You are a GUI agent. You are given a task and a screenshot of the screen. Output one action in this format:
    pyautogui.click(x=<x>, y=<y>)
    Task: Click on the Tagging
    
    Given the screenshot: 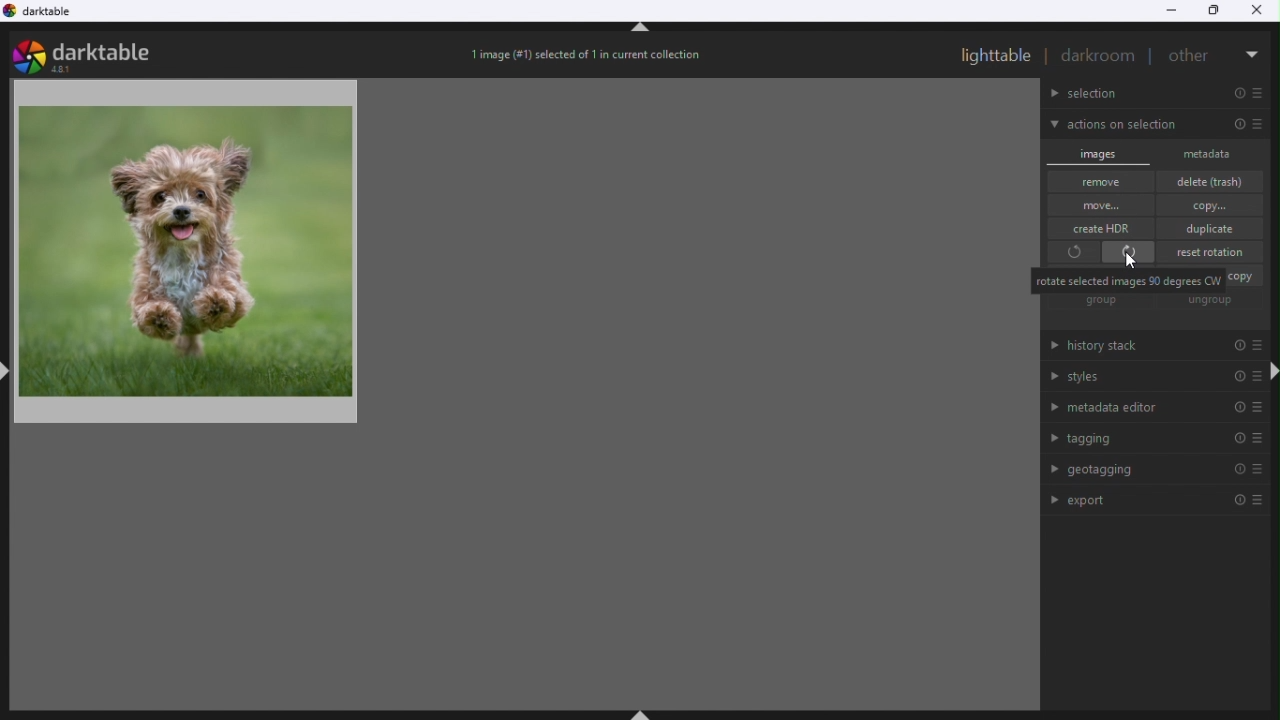 What is the action you would take?
    pyautogui.click(x=1153, y=439)
    